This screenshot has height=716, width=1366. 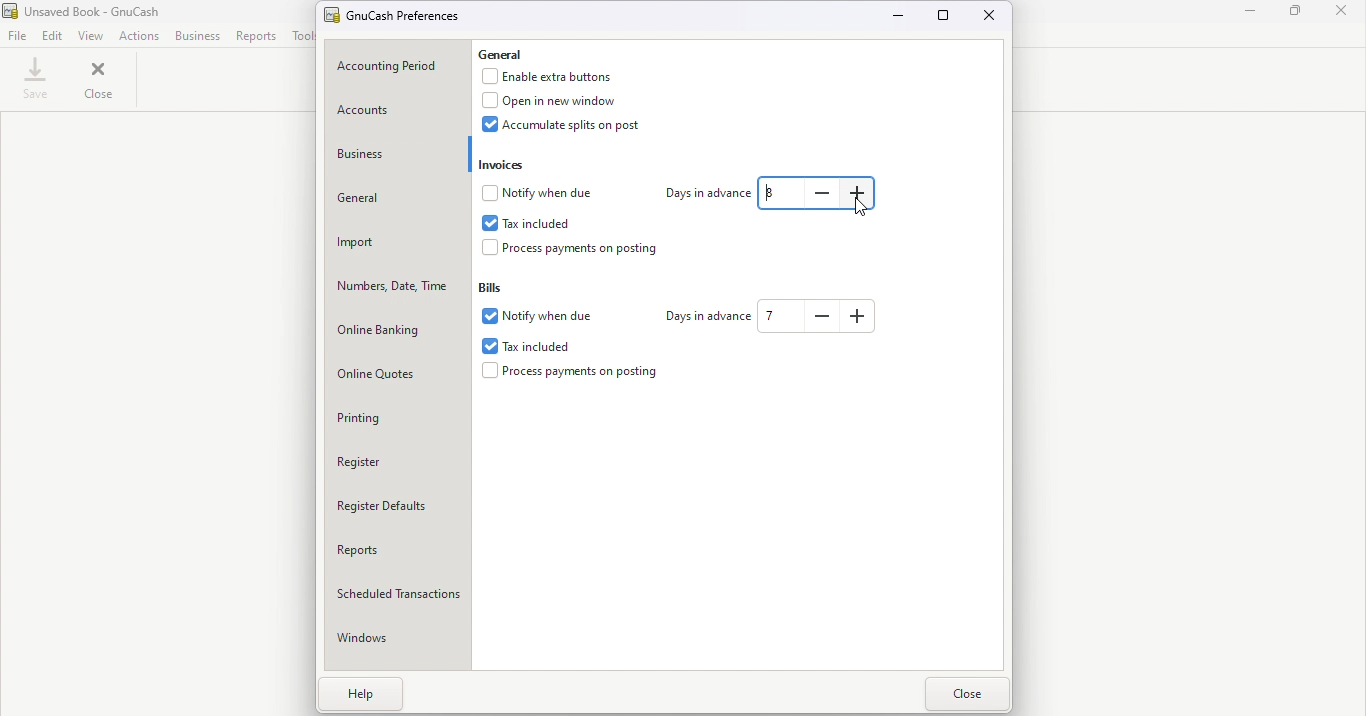 What do you see at coordinates (397, 331) in the screenshot?
I see `Online banking` at bounding box center [397, 331].